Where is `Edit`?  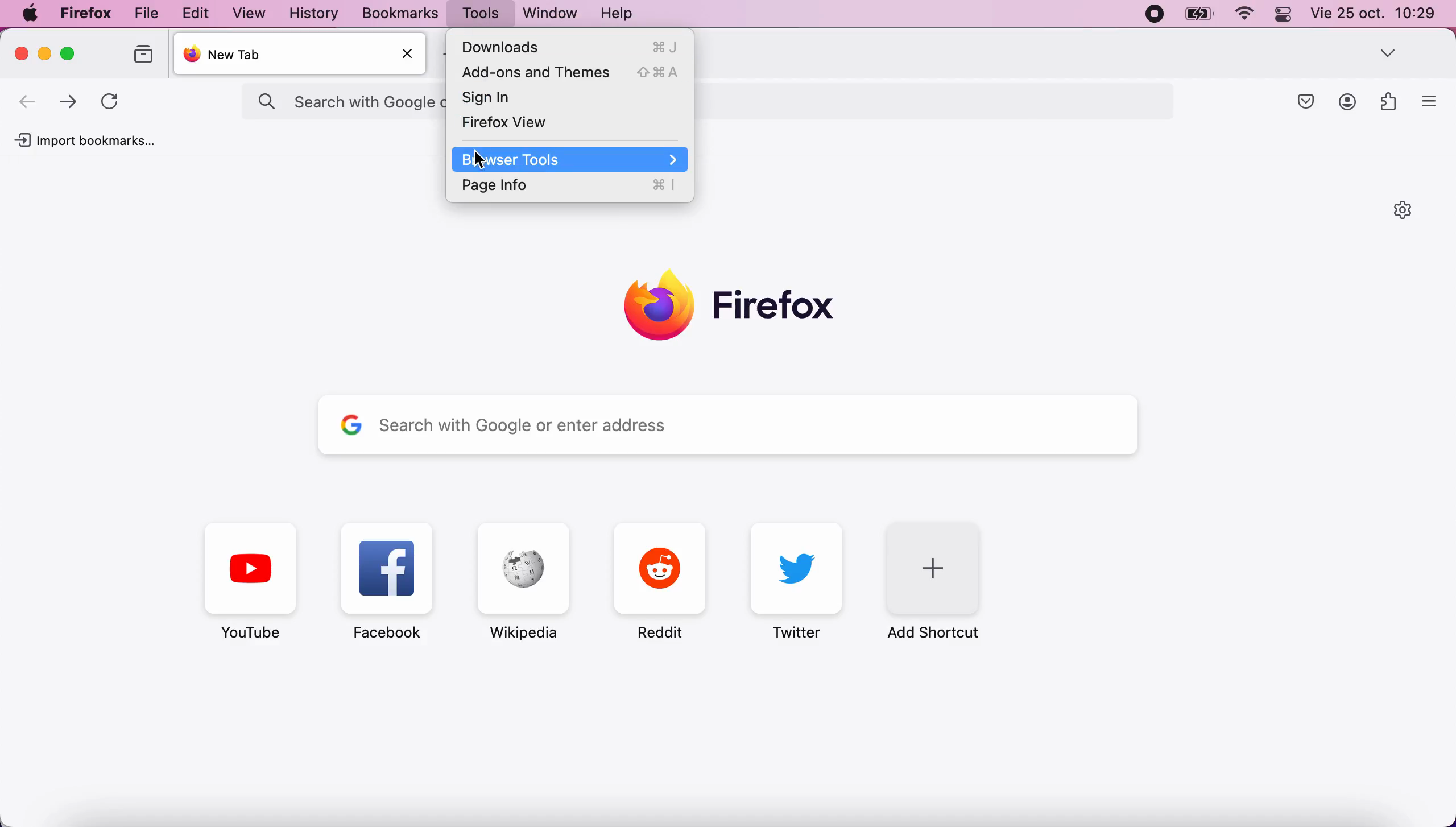
Edit is located at coordinates (196, 13).